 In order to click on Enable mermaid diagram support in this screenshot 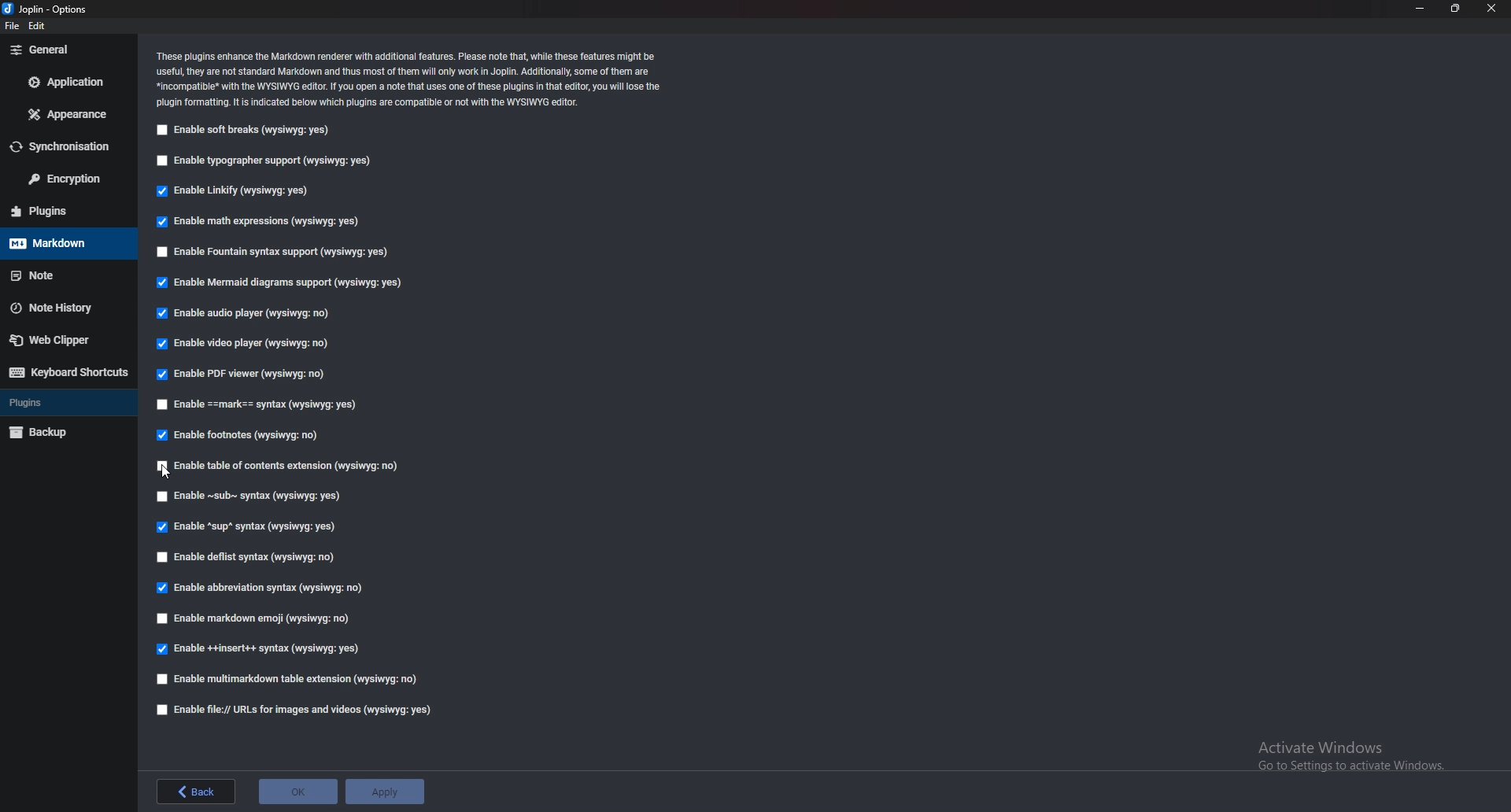, I will do `click(279, 282)`.